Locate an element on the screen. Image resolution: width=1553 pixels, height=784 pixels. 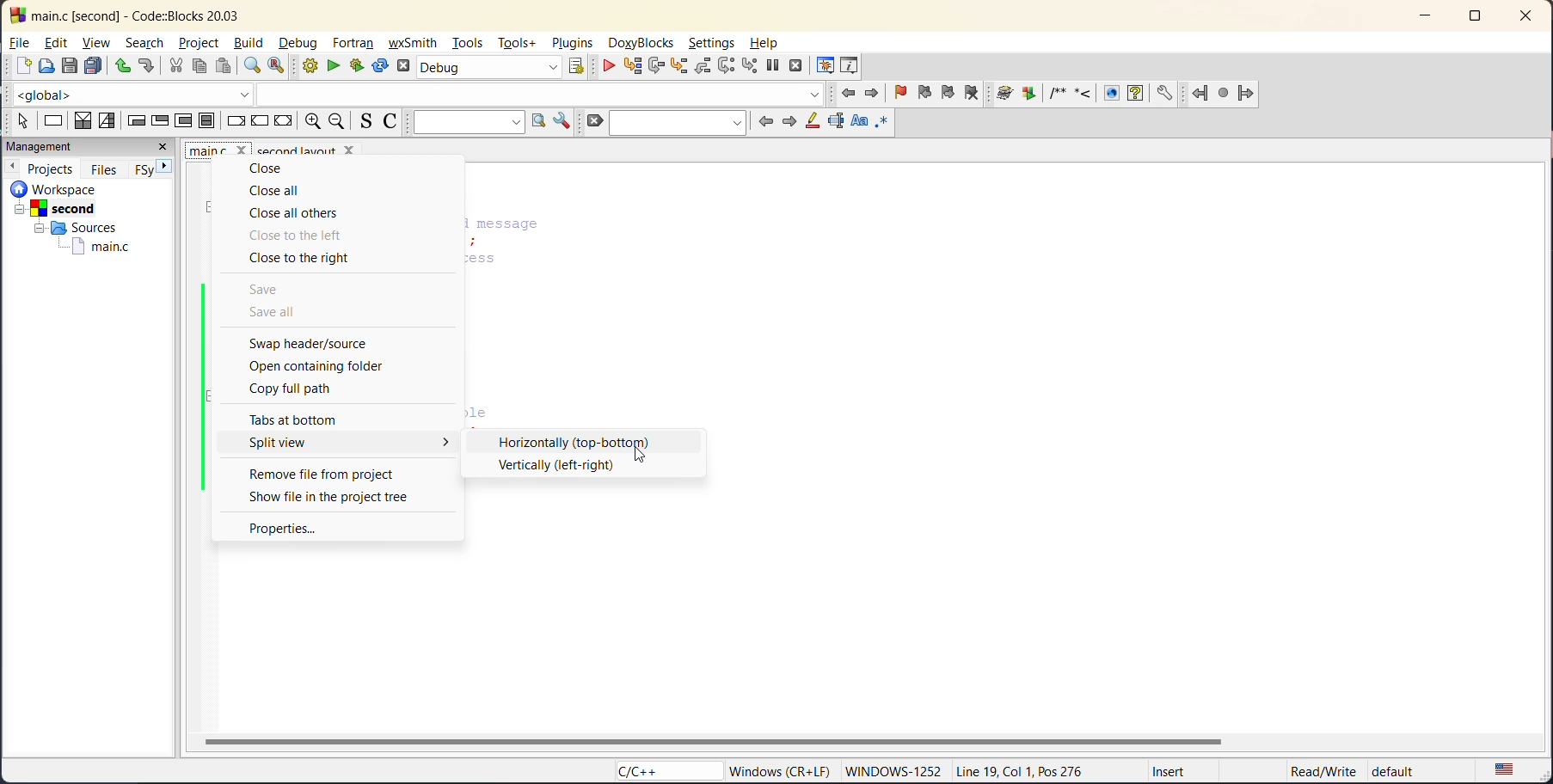
next bookmark is located at coordinates (948, 95).